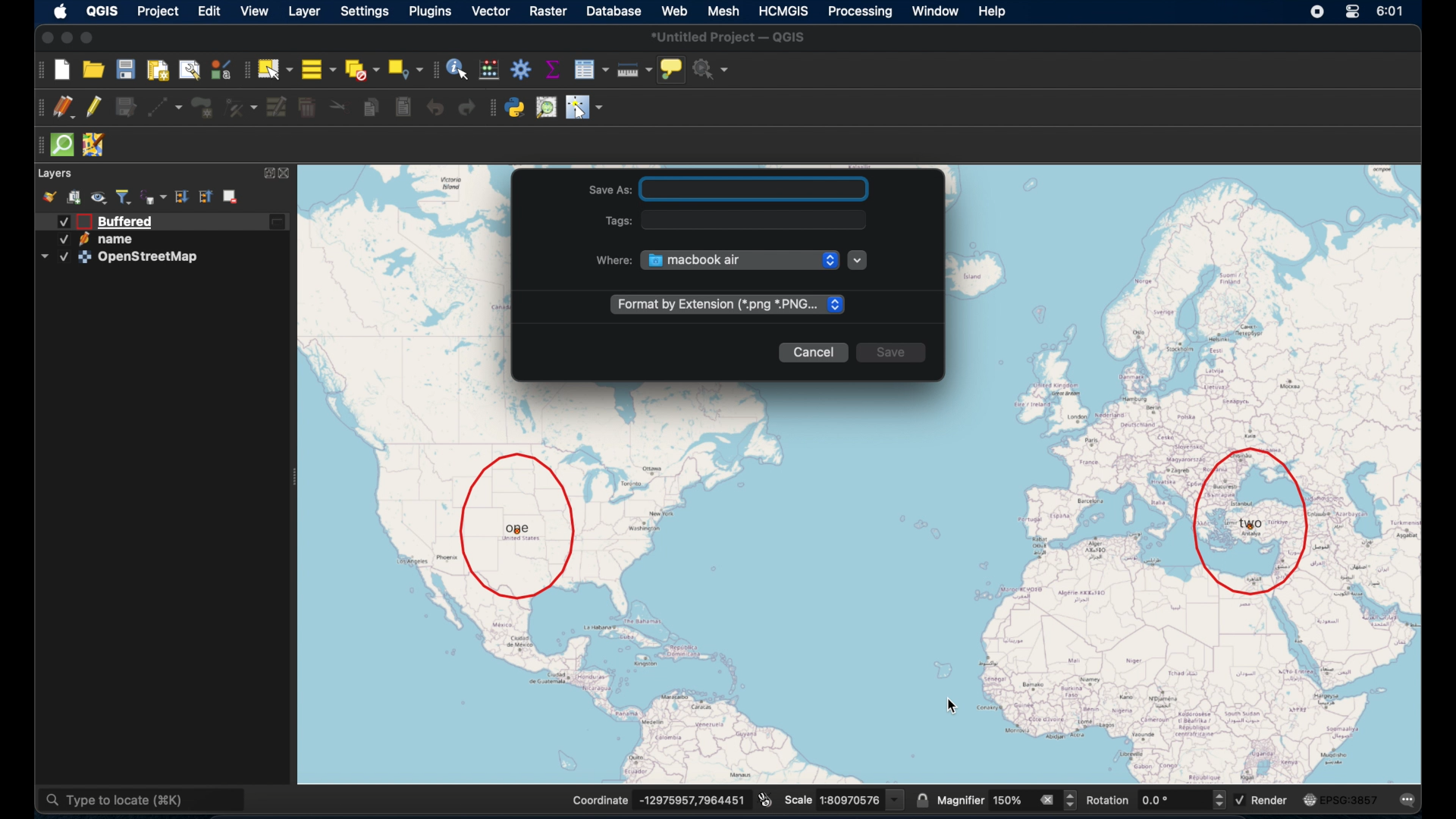 The image size is (1456, 819). What do you see at coordinates (124, 107) in the screenshot?
I see `save edits` at bounding box center [124, 107].